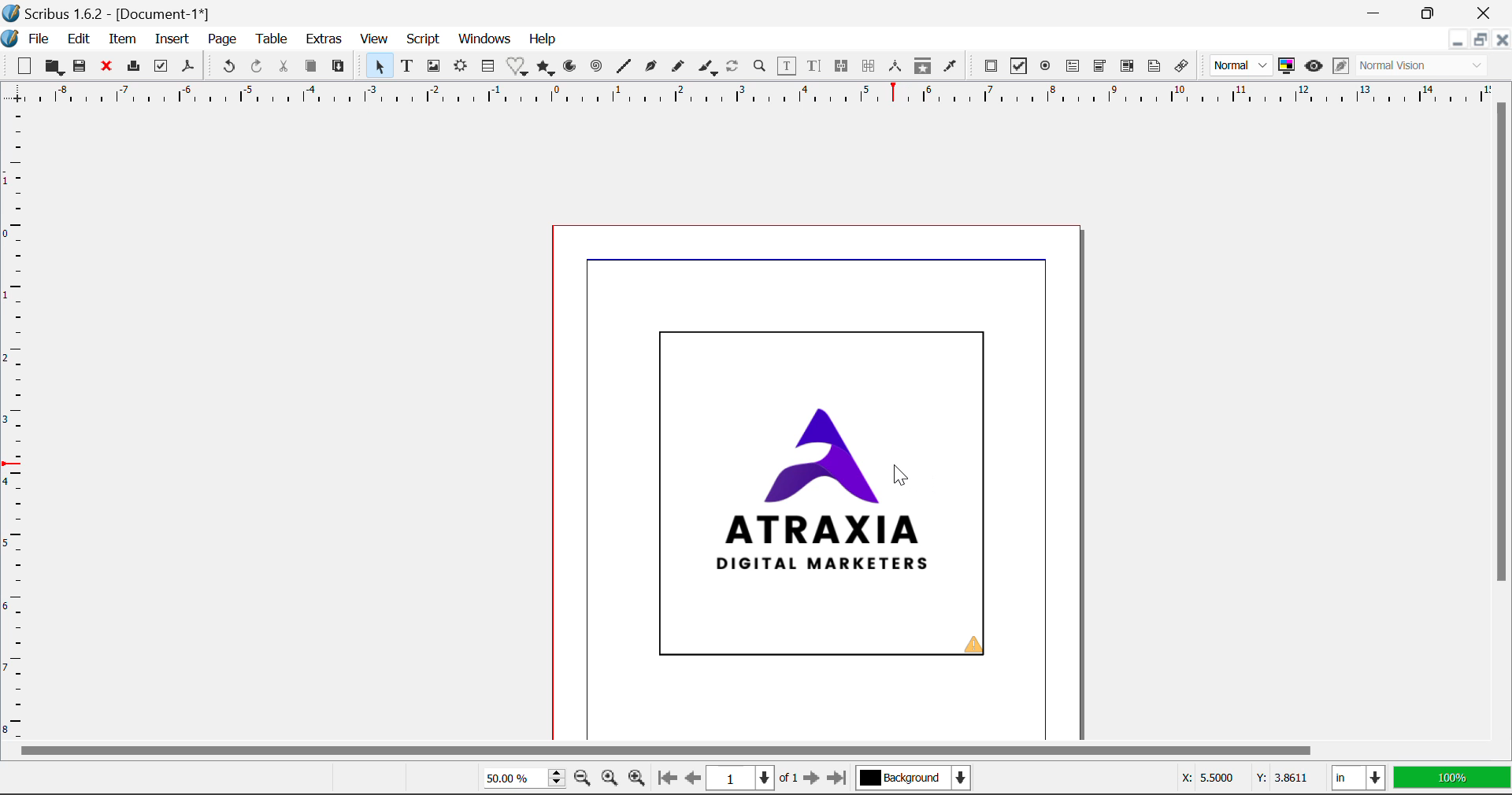 This screenshot has height=795, width=1512. Describe the element at coordinates (921, 66) in the screenshot. I see `Copy Item Properties` at that location.